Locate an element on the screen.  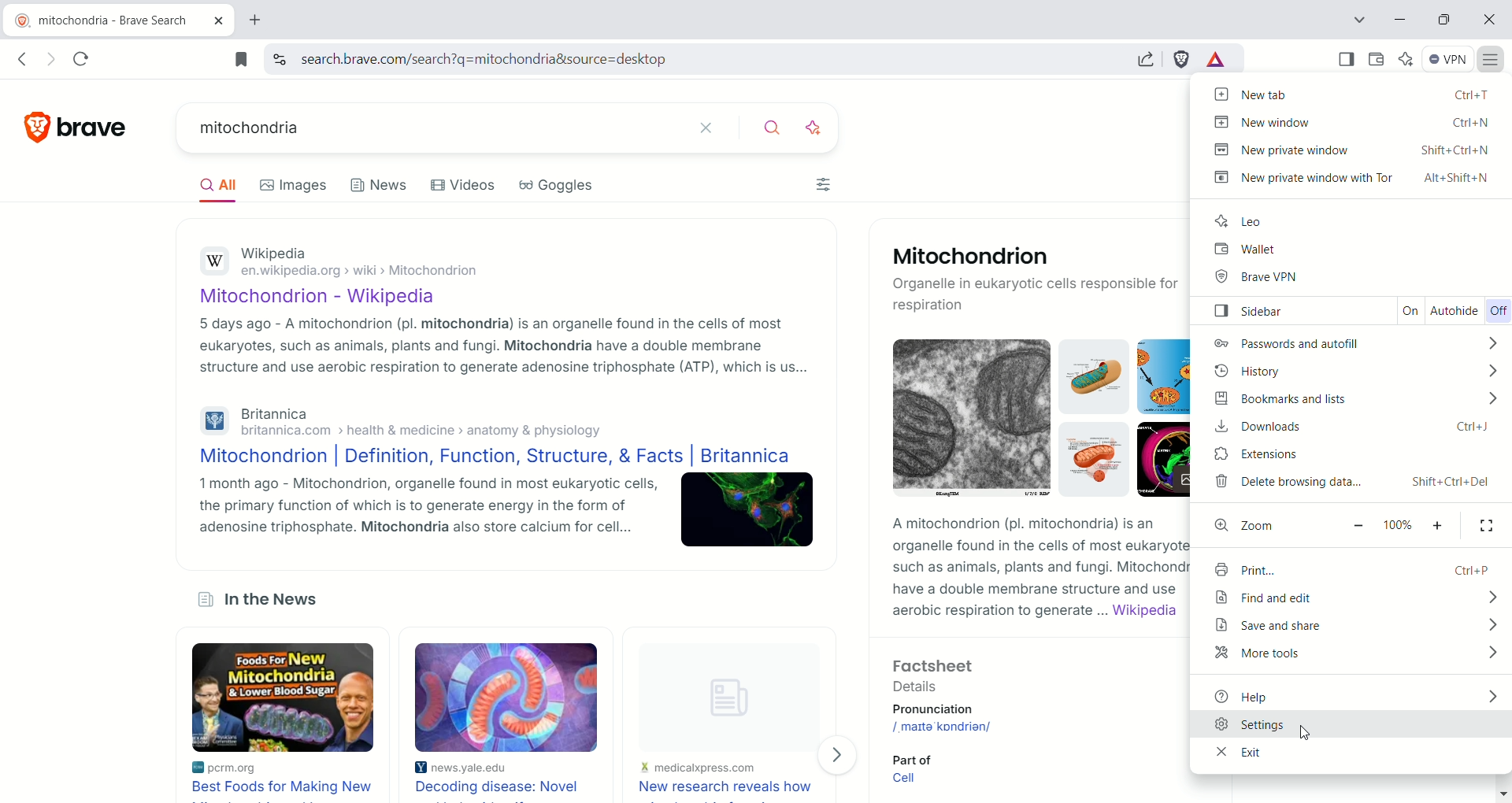
Wikipedia en.wikipedia.org › wiki › Mitochondrion Mitochondrion - Wikipedia is located at coordinates (376, 276).